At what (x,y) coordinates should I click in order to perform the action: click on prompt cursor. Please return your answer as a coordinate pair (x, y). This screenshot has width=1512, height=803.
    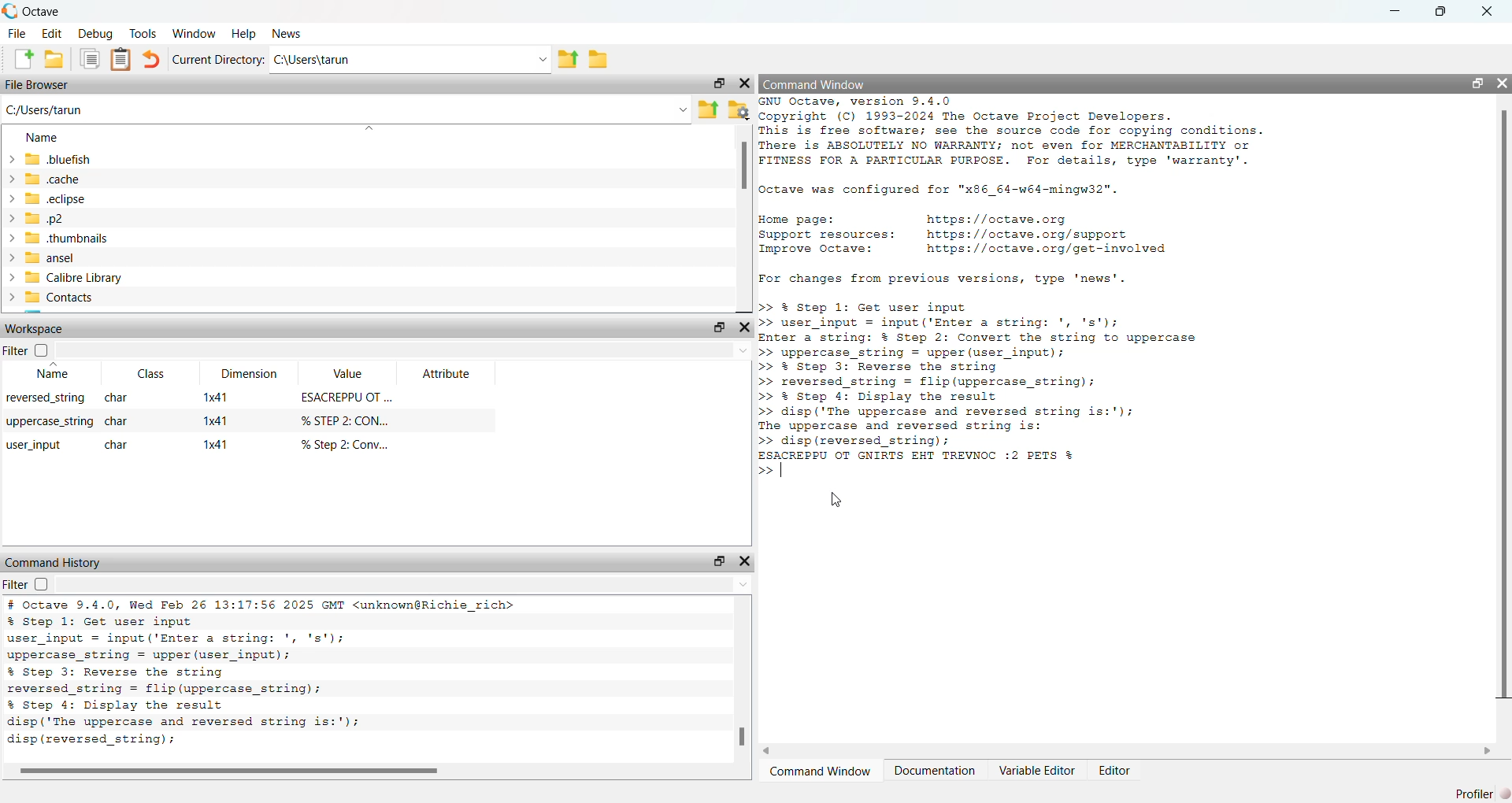
    Looking at the image, I should click on (762, 470).